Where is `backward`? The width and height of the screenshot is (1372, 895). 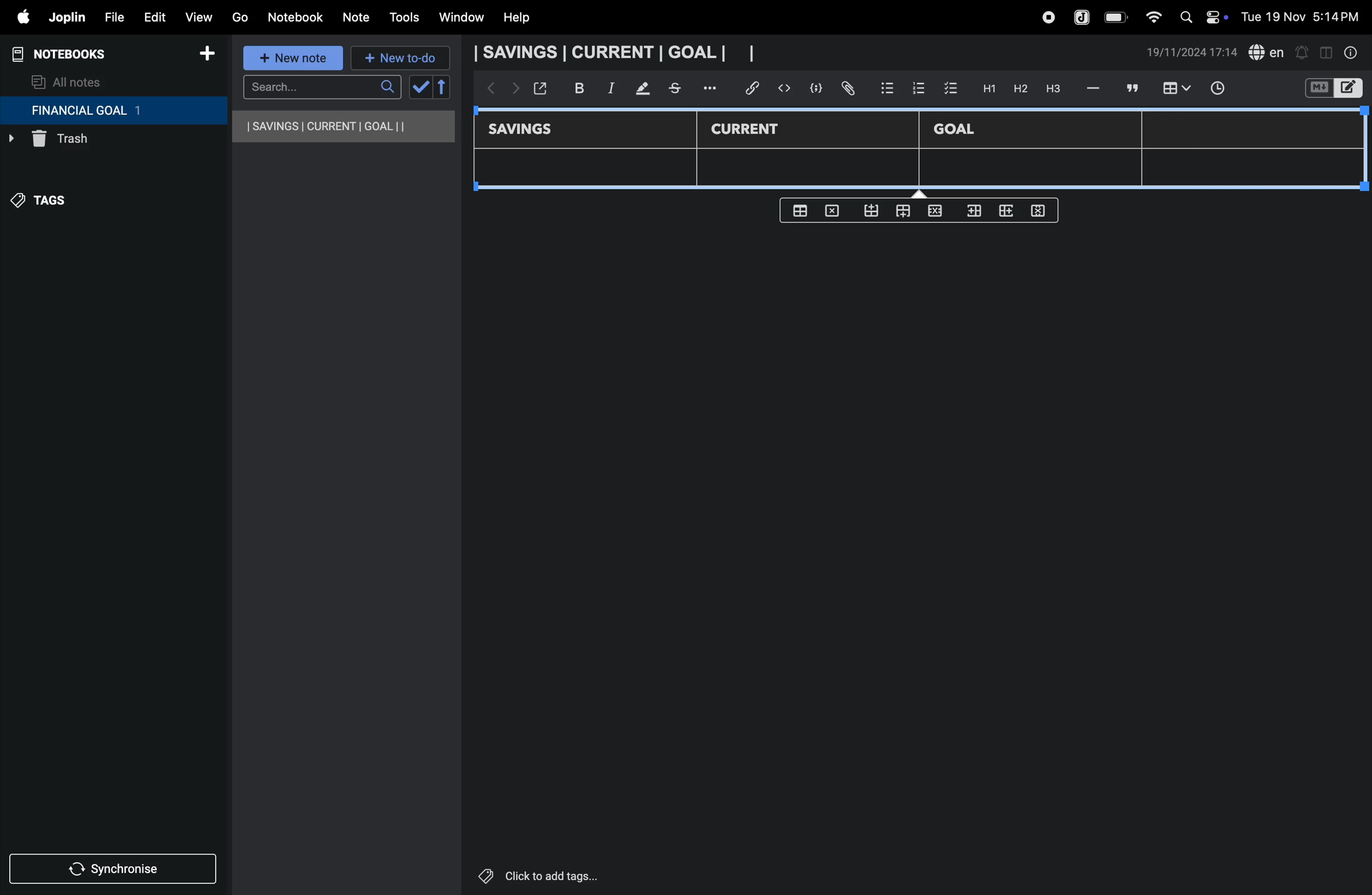
backward is located at coordinates (487, 89).